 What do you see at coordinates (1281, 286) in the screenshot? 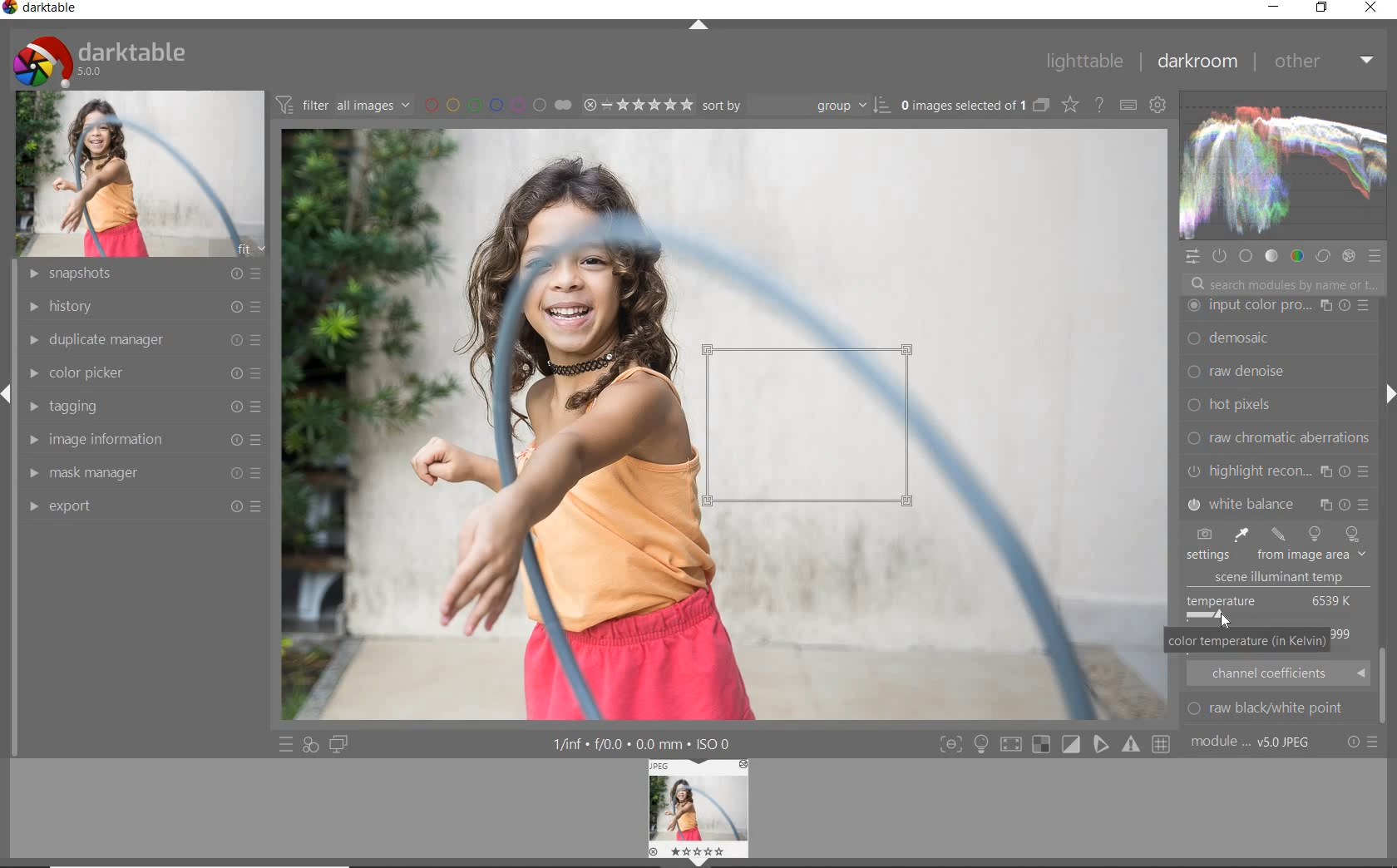
I see `search modules` at bounding box center [1281, 286].